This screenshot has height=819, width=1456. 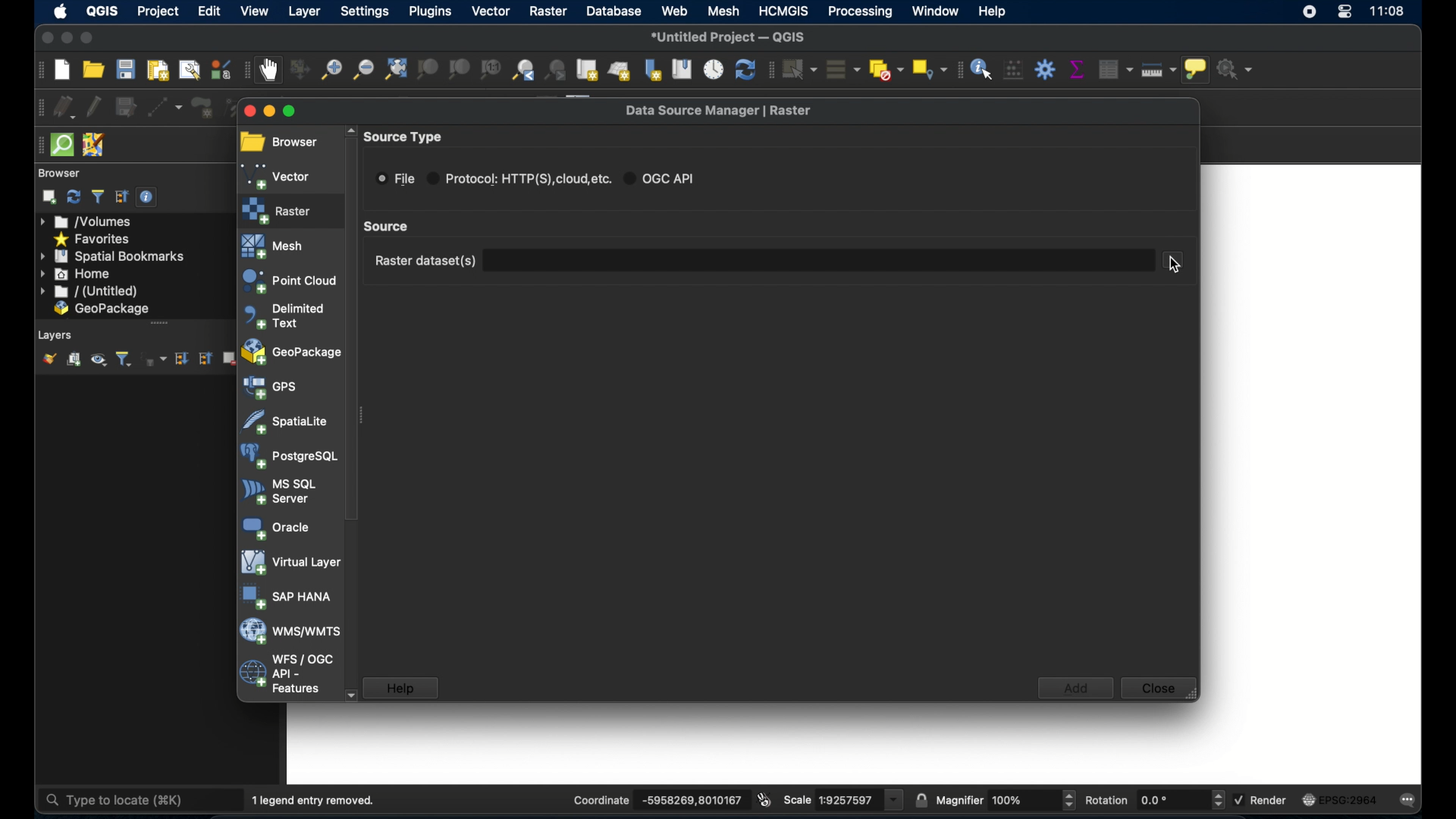 I want to click on lock scale, so click(x=921, y=799).